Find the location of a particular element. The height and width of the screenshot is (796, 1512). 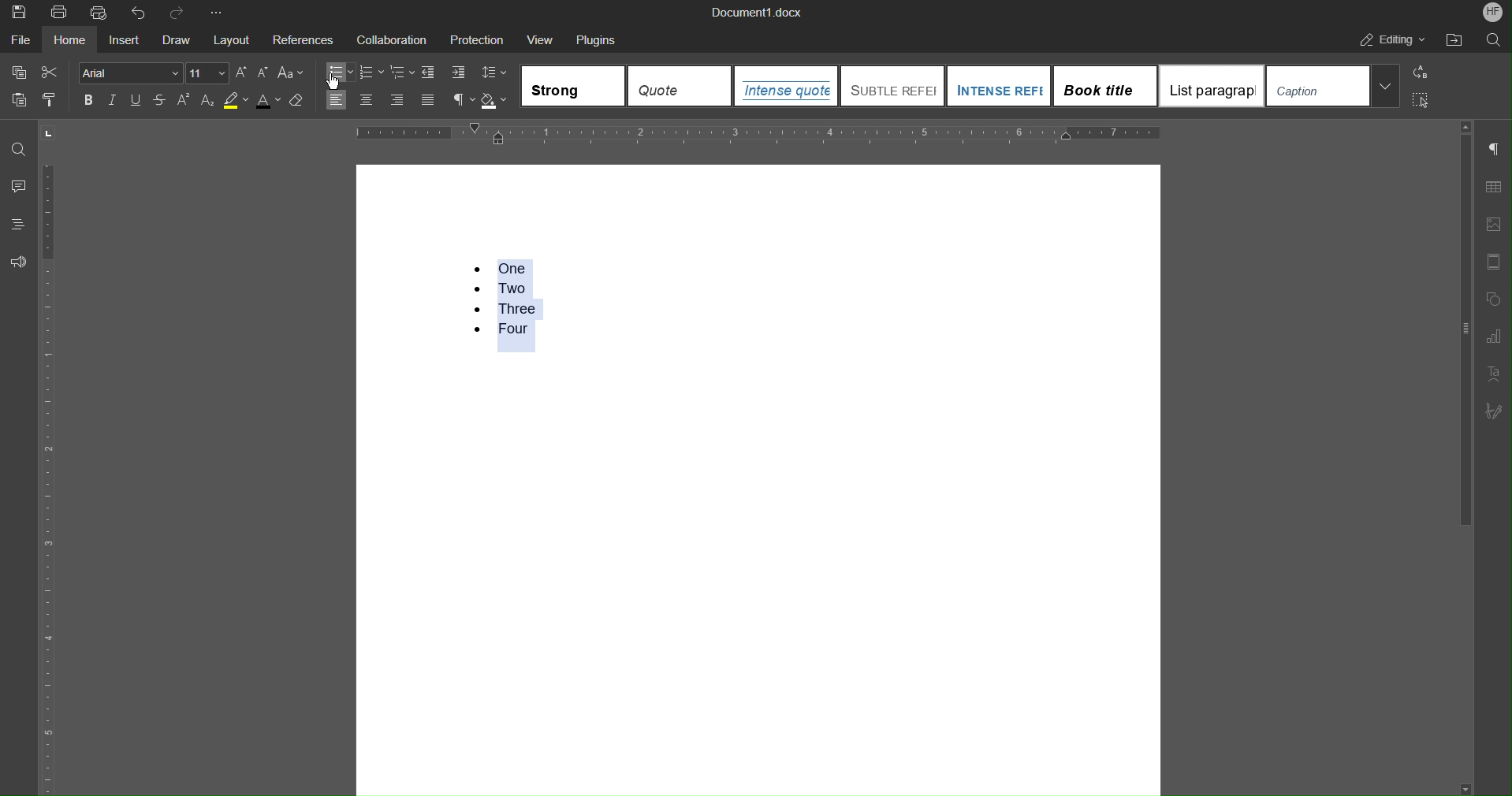

Intense Reference is located at coordinates (998, 84).